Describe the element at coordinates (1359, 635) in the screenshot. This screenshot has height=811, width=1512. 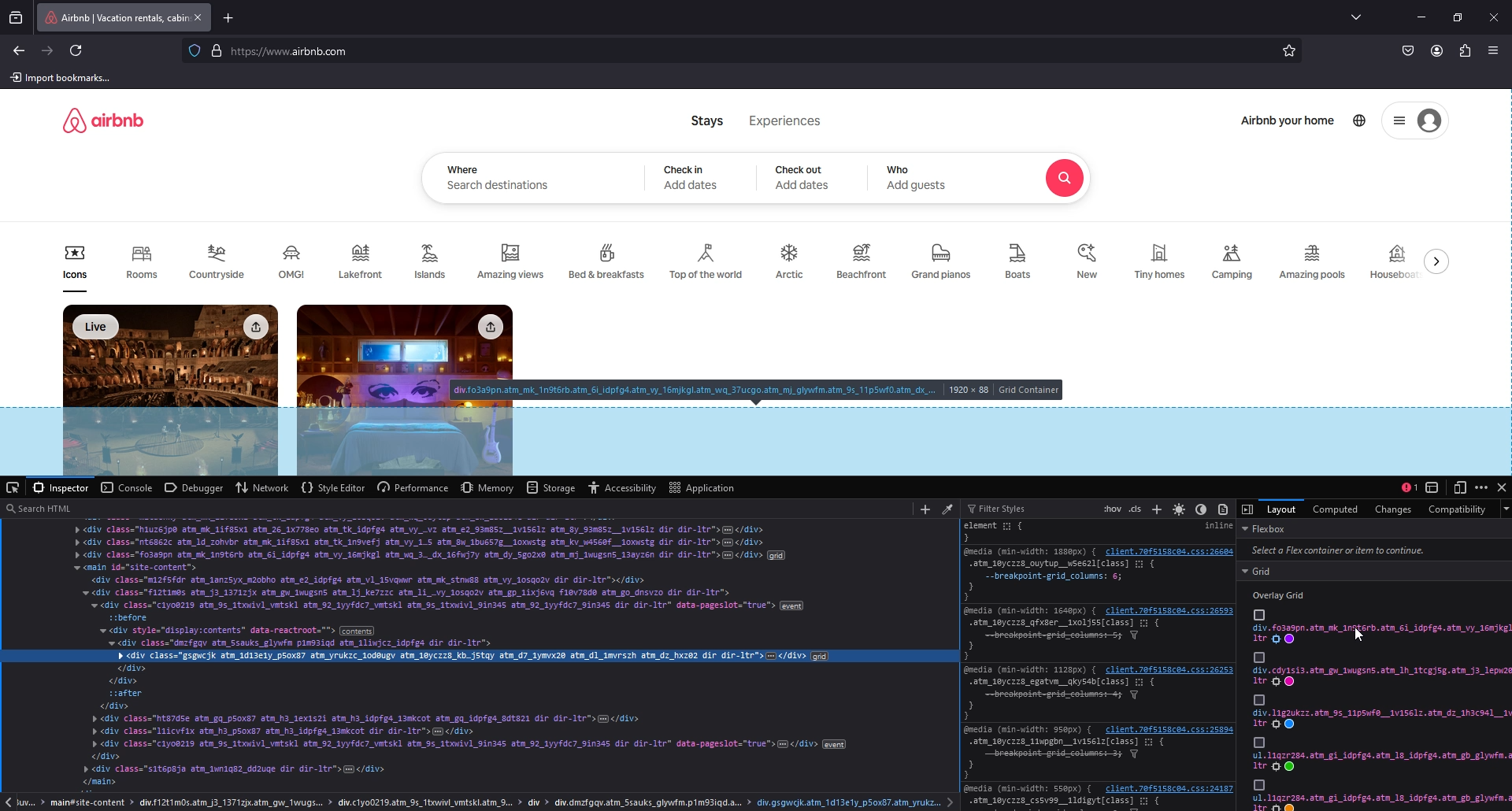
I see `cursor` at that location.